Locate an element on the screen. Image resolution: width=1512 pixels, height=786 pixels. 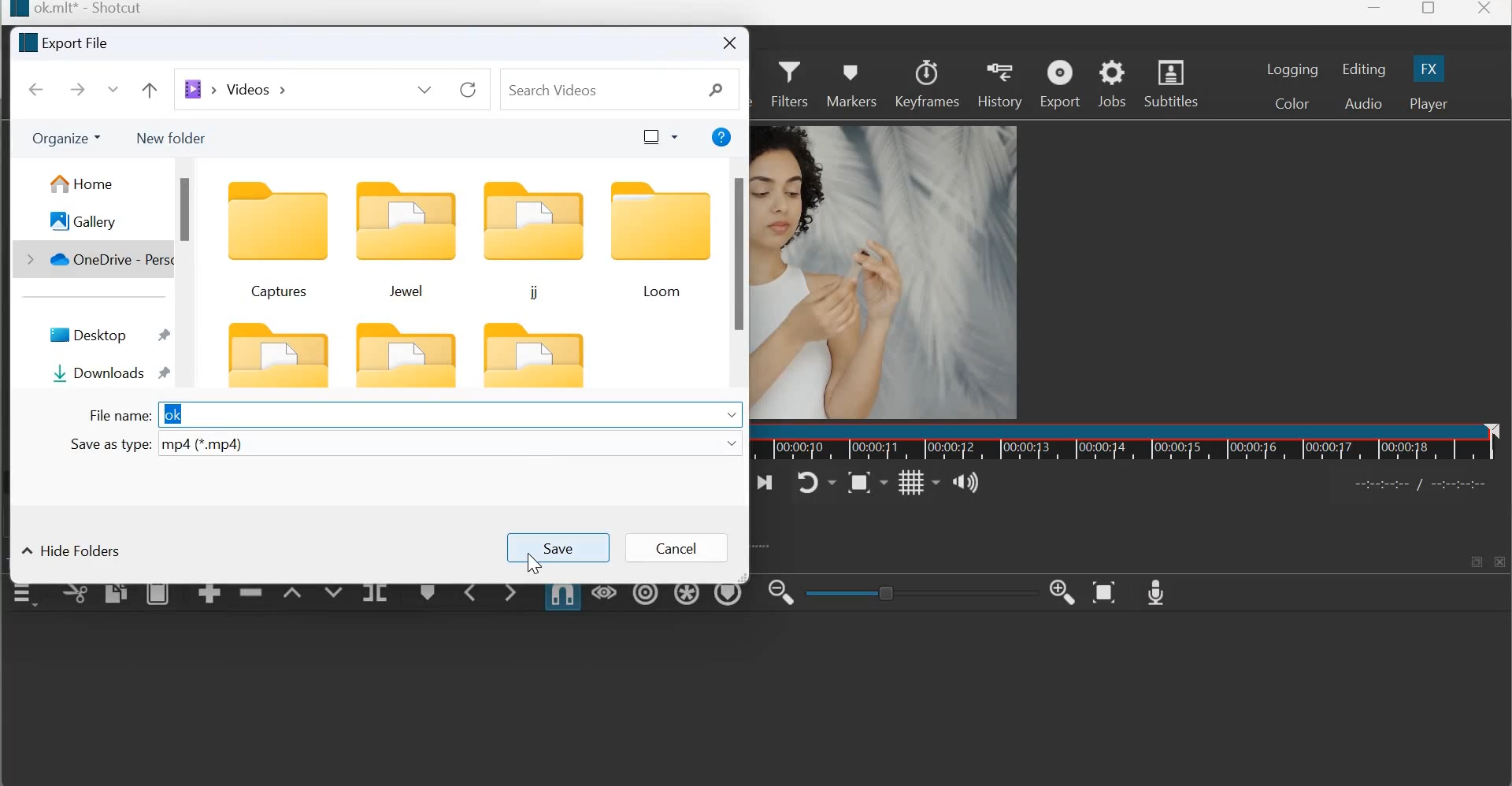
in point is located at coordinates (1425, 486).